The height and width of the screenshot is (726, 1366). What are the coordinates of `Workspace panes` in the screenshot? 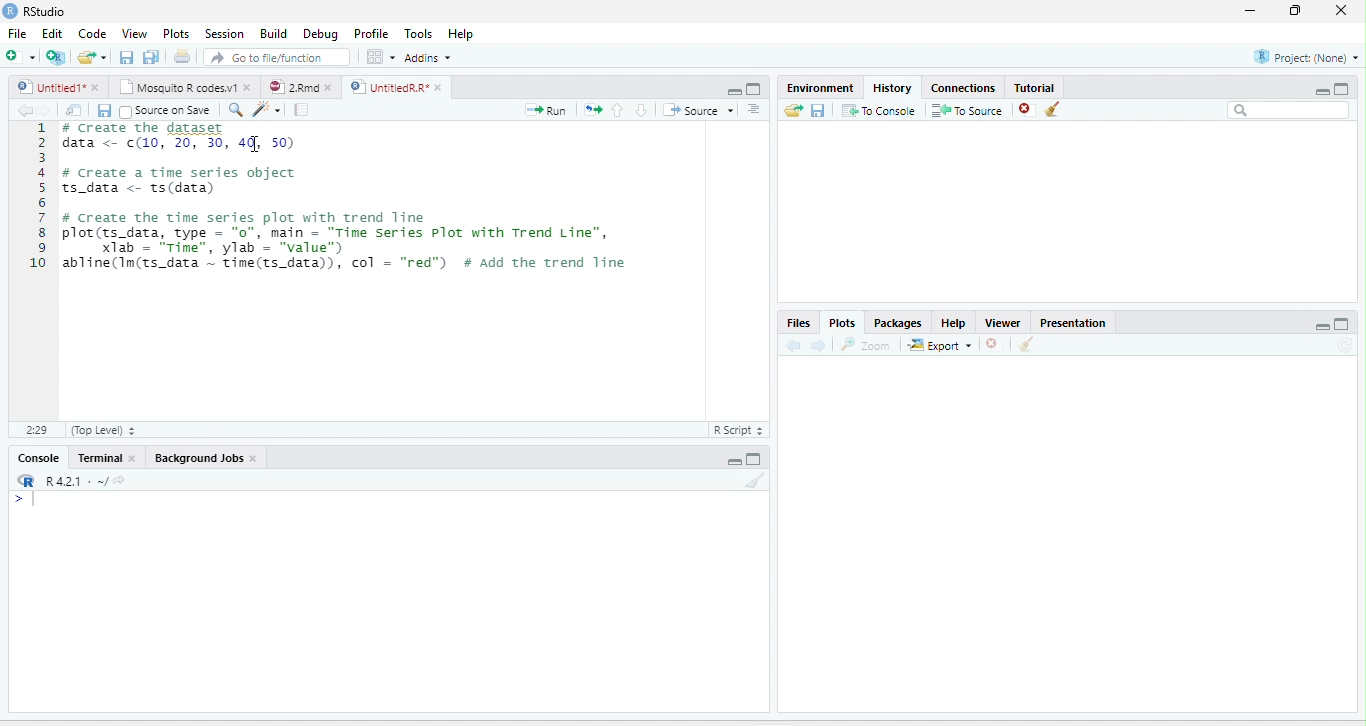 It's located at (379, 56).